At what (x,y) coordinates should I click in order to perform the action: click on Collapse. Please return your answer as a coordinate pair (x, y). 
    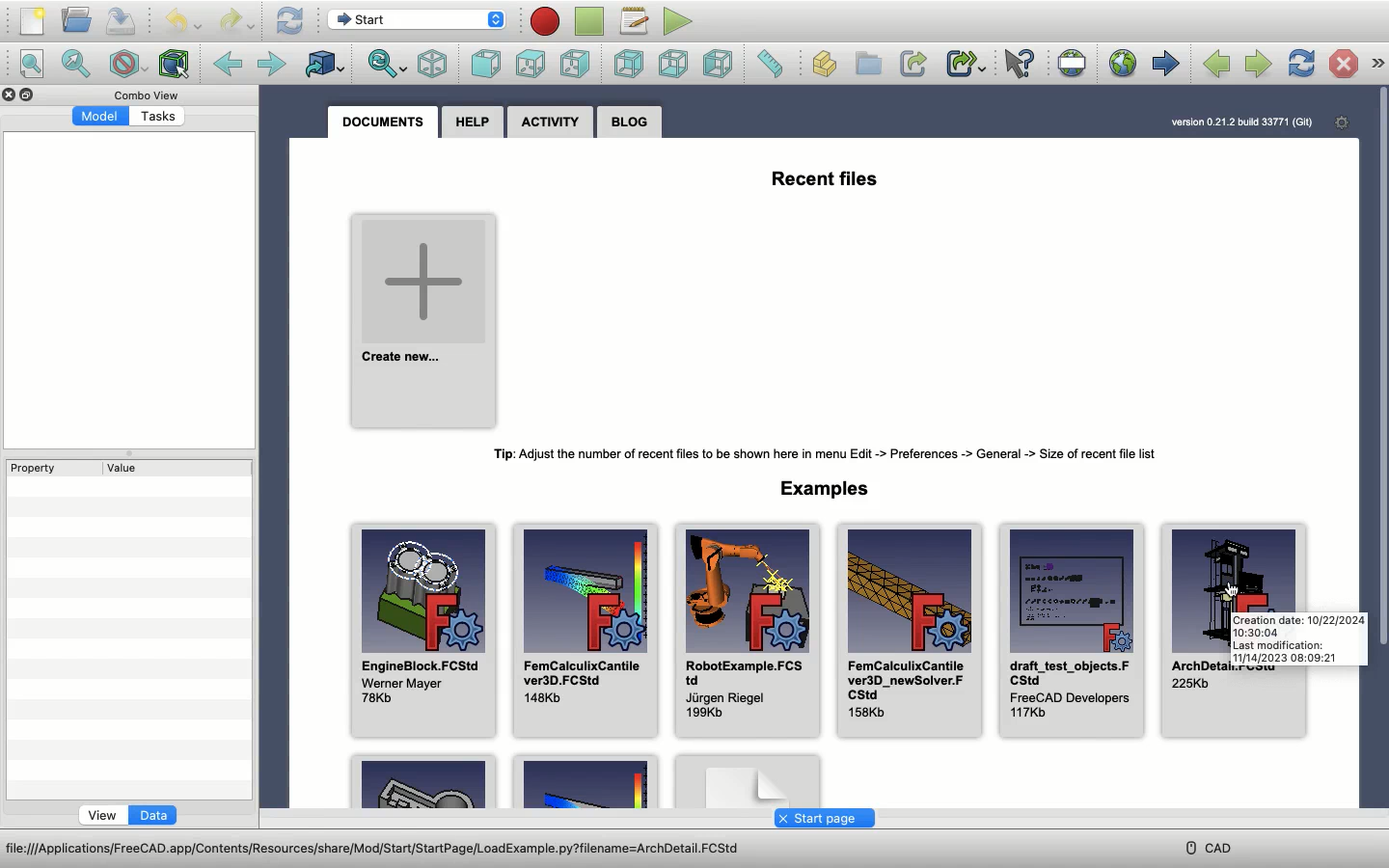
    Looking at the image, I should click on (27, 95).